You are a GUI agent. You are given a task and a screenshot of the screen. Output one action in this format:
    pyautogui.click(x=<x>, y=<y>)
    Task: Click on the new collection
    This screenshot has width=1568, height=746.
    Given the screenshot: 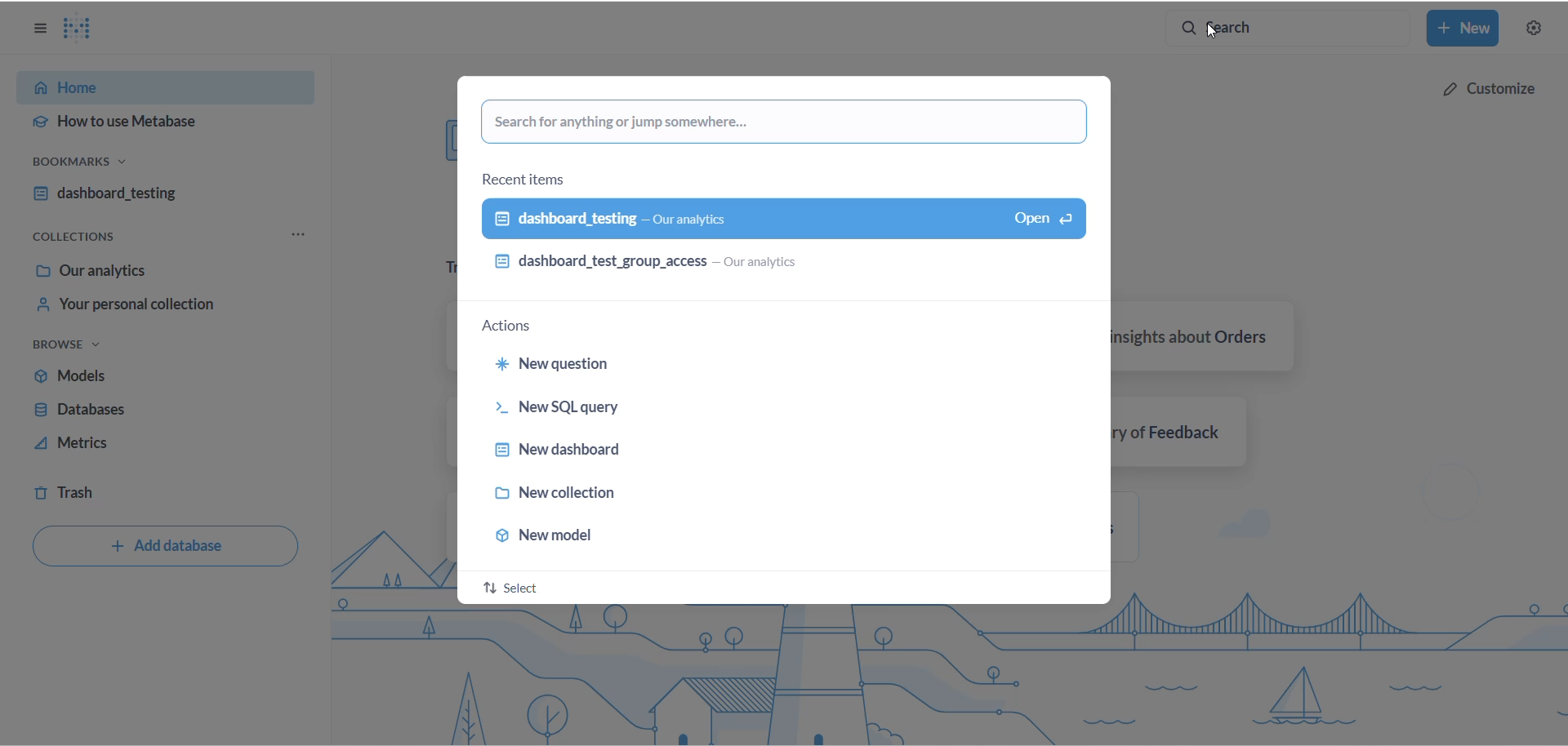 What is the action you would take?
    pyautogui.click(x=575, y=492)
    